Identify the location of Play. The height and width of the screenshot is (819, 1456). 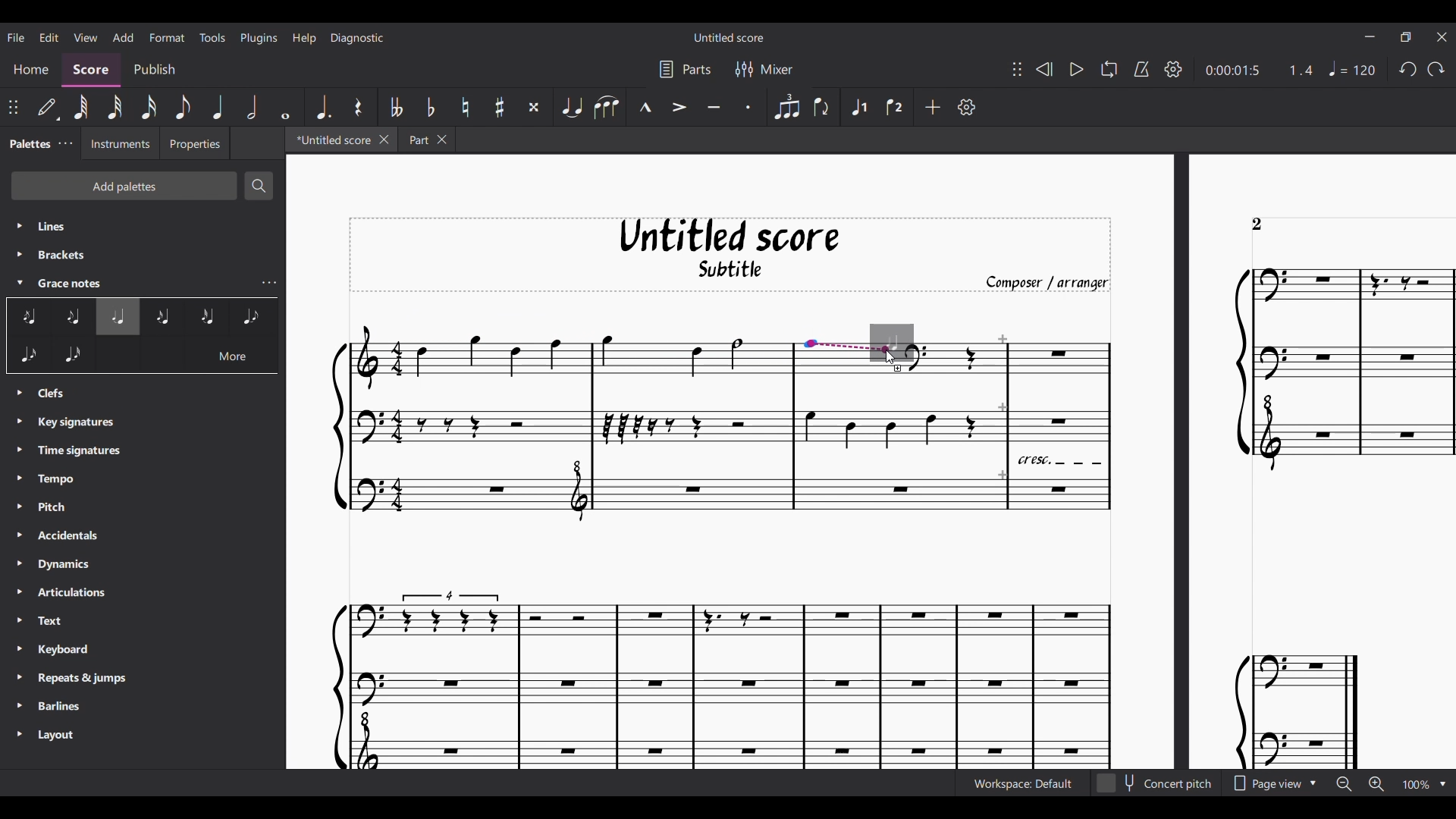
(1077, 69).